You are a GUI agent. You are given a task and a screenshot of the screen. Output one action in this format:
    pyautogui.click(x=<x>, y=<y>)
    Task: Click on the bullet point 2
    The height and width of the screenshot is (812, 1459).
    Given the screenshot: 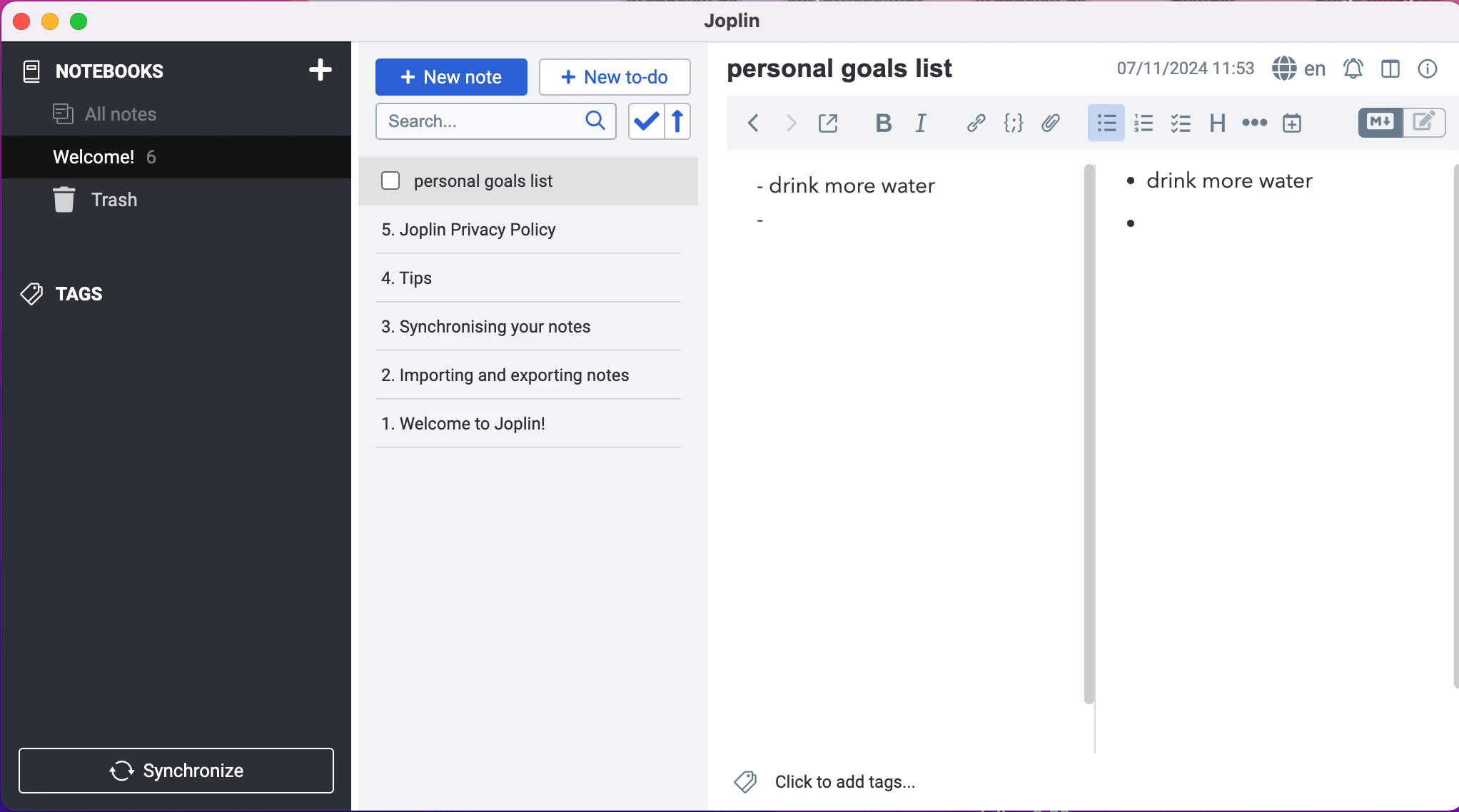 What is the action you would take?
    pyautogui.click(x=768, y=222)
    